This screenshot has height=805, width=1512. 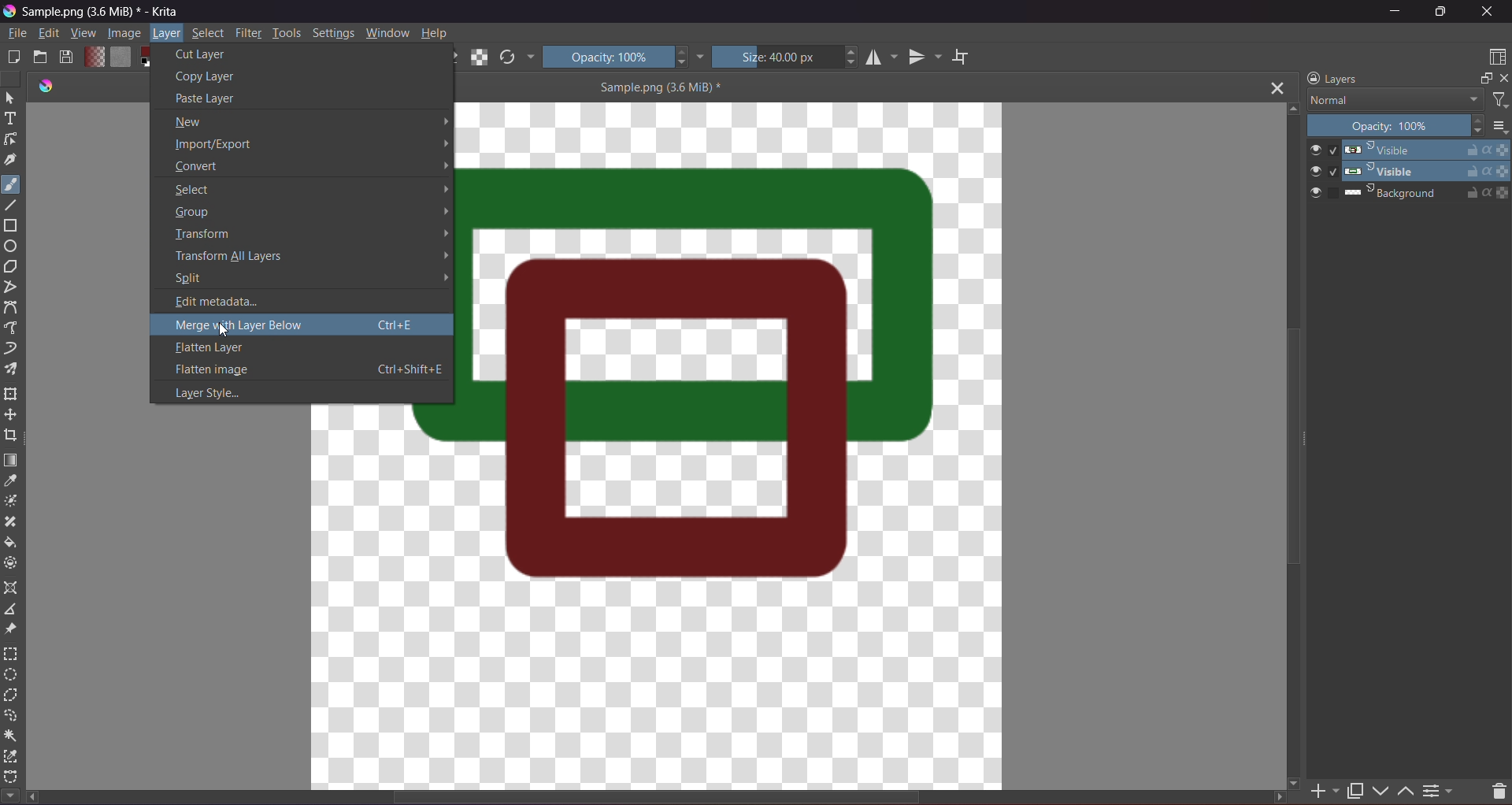 What do you see at coordinates (313, 144) in the screenshot?
I see `Import/Export` at bounding box center [313, 144].